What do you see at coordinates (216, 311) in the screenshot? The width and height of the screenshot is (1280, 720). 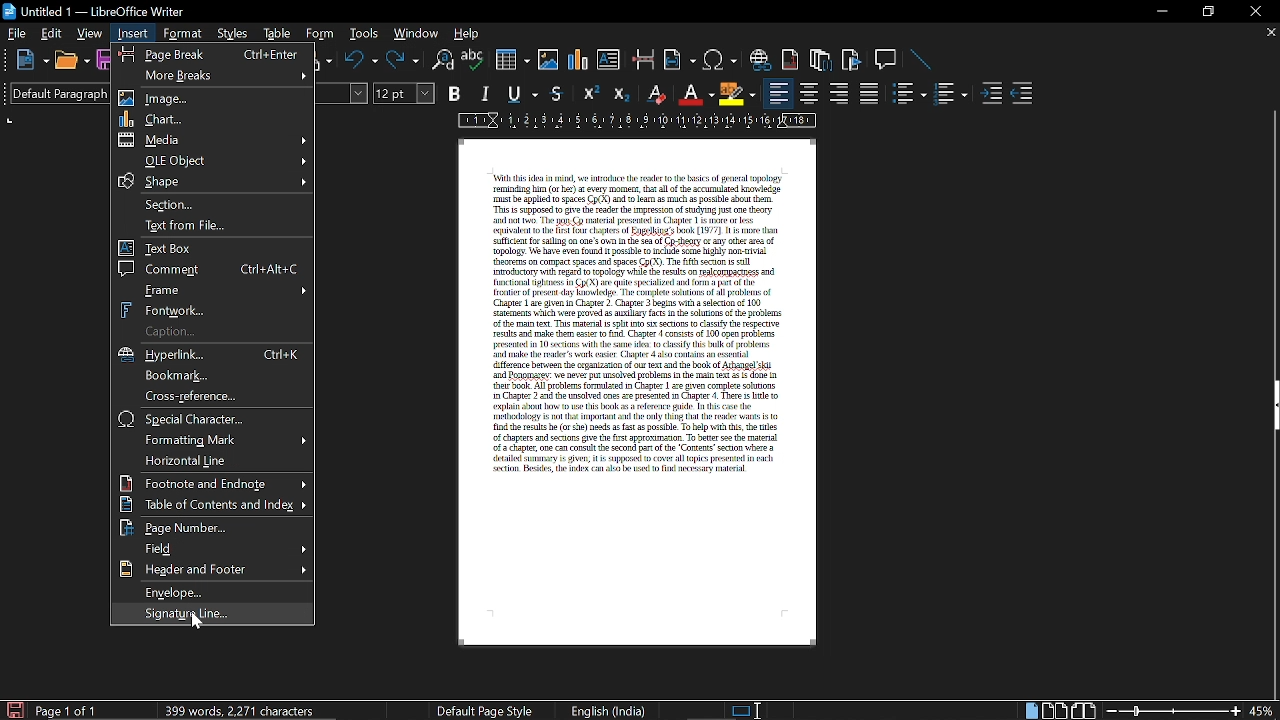 I see `fontwork` at bounding box center [216, 311].